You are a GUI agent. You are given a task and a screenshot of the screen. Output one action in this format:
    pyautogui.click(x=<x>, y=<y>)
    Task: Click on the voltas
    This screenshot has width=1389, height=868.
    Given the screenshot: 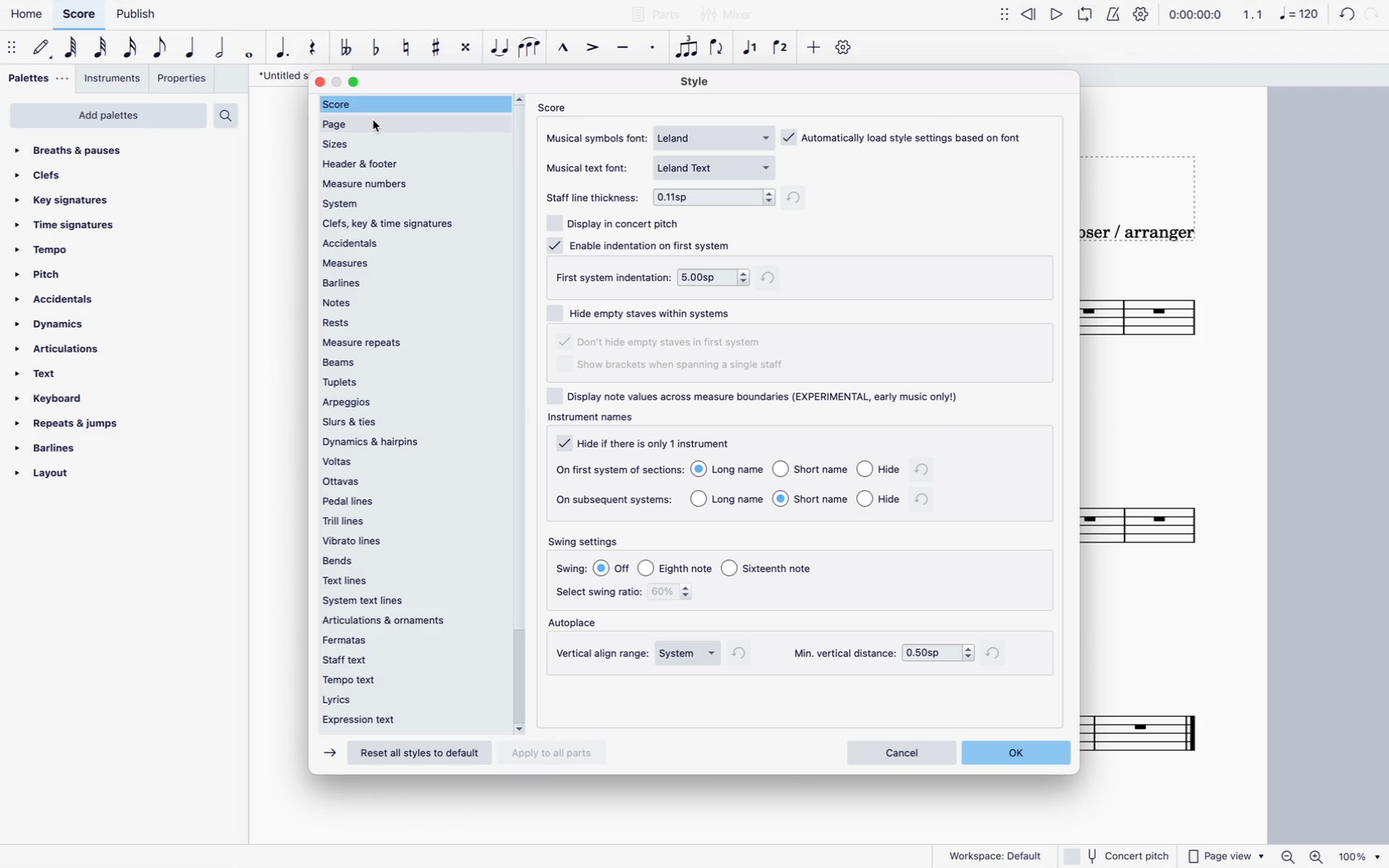 What is the action you would take?
    pyautogui.click(x=411, y=461)
    